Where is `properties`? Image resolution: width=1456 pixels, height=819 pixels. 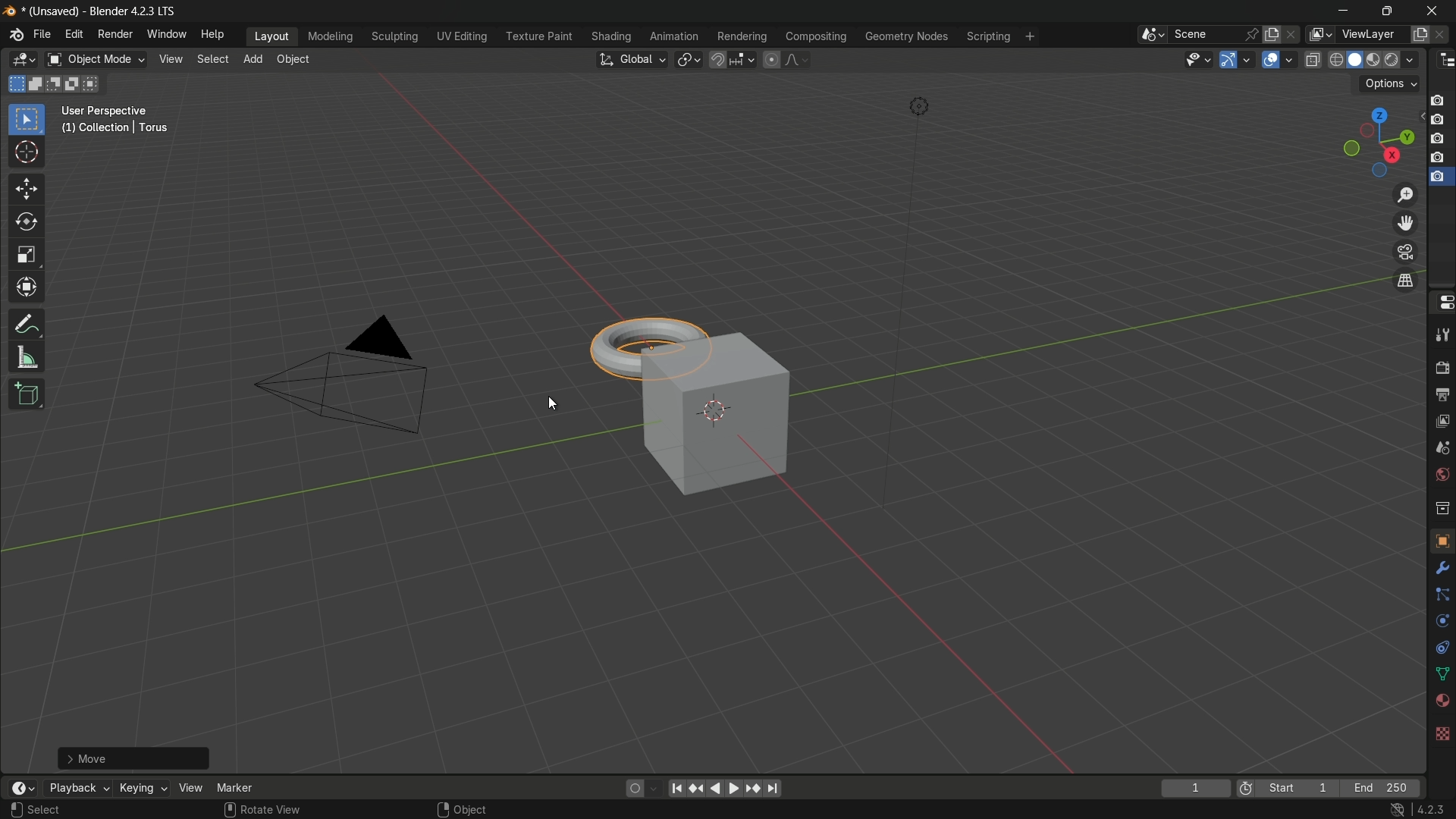 properties is located at coordinates (1442, 302).